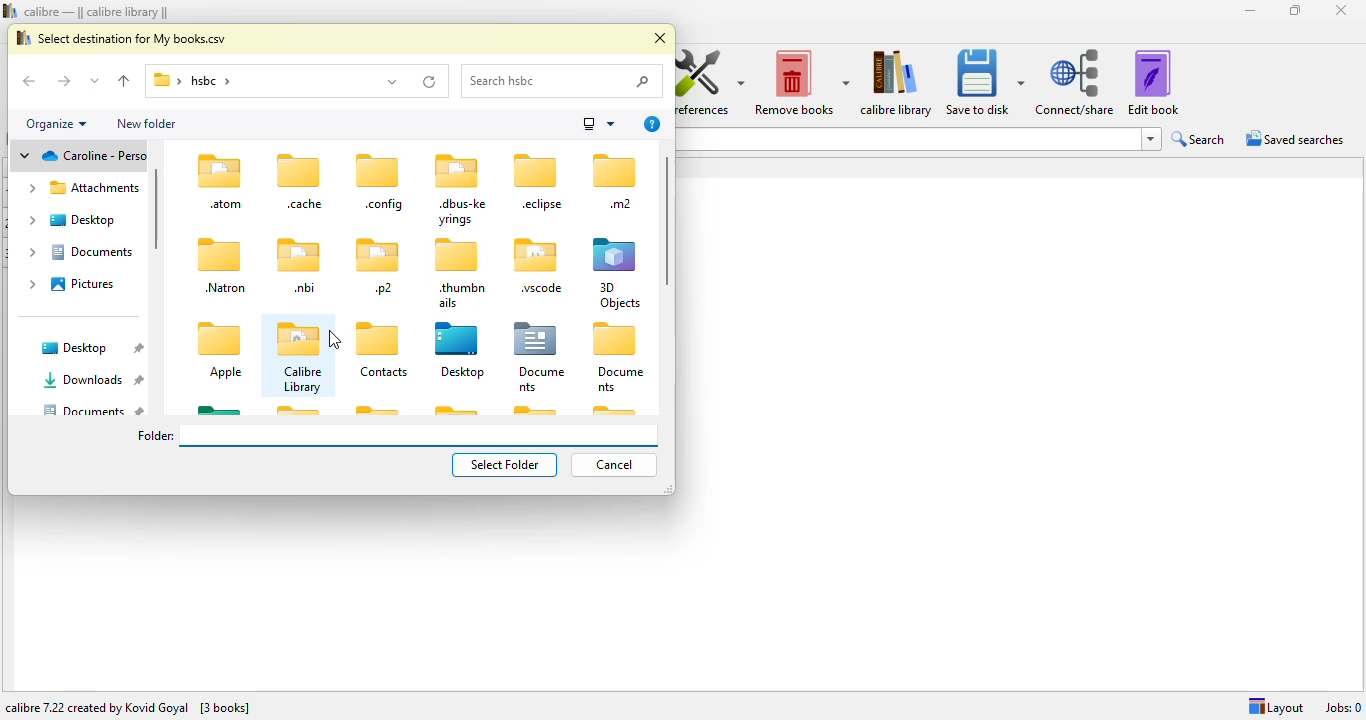 The image size is (1366, 720). I want to click on vertical scroll bar, so click(667, 219).